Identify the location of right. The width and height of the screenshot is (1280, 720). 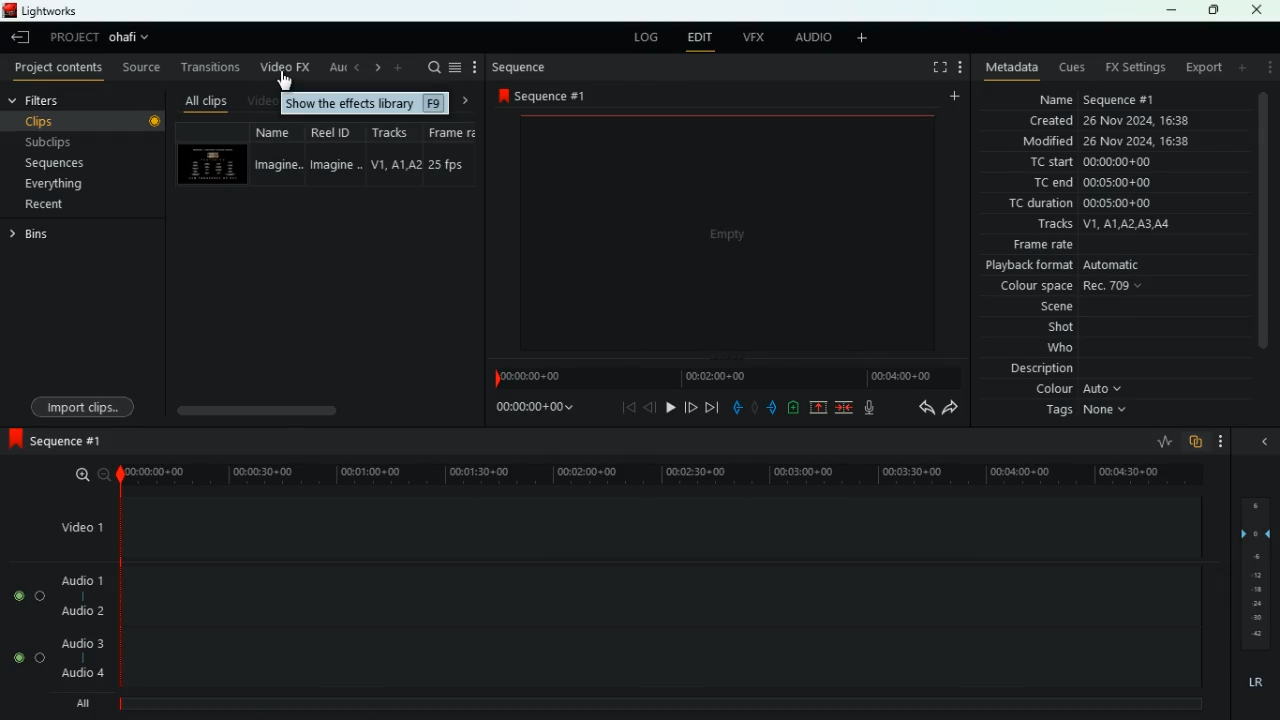
(378, 69).